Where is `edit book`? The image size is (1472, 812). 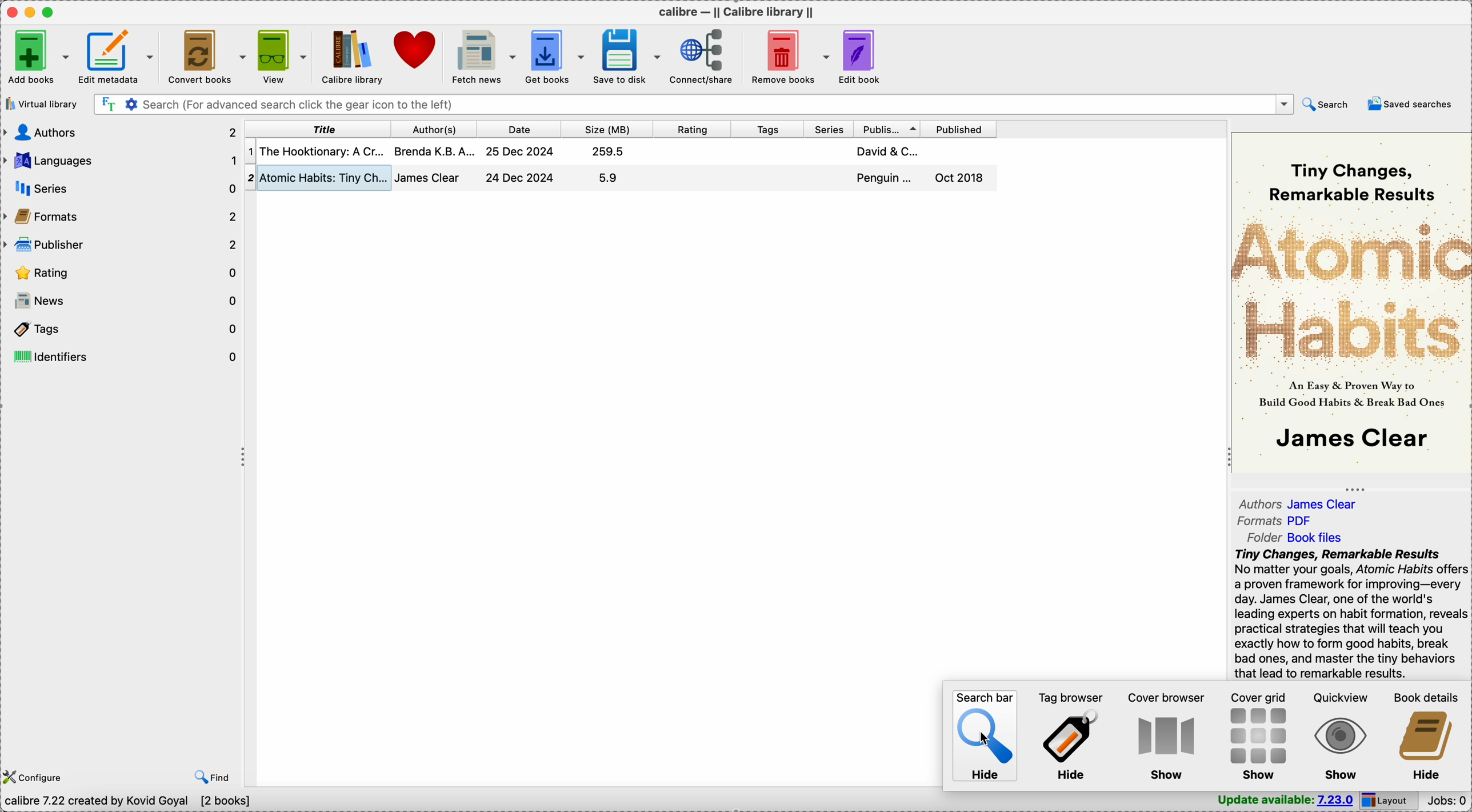 edit book is located at coordinates (865, 55).